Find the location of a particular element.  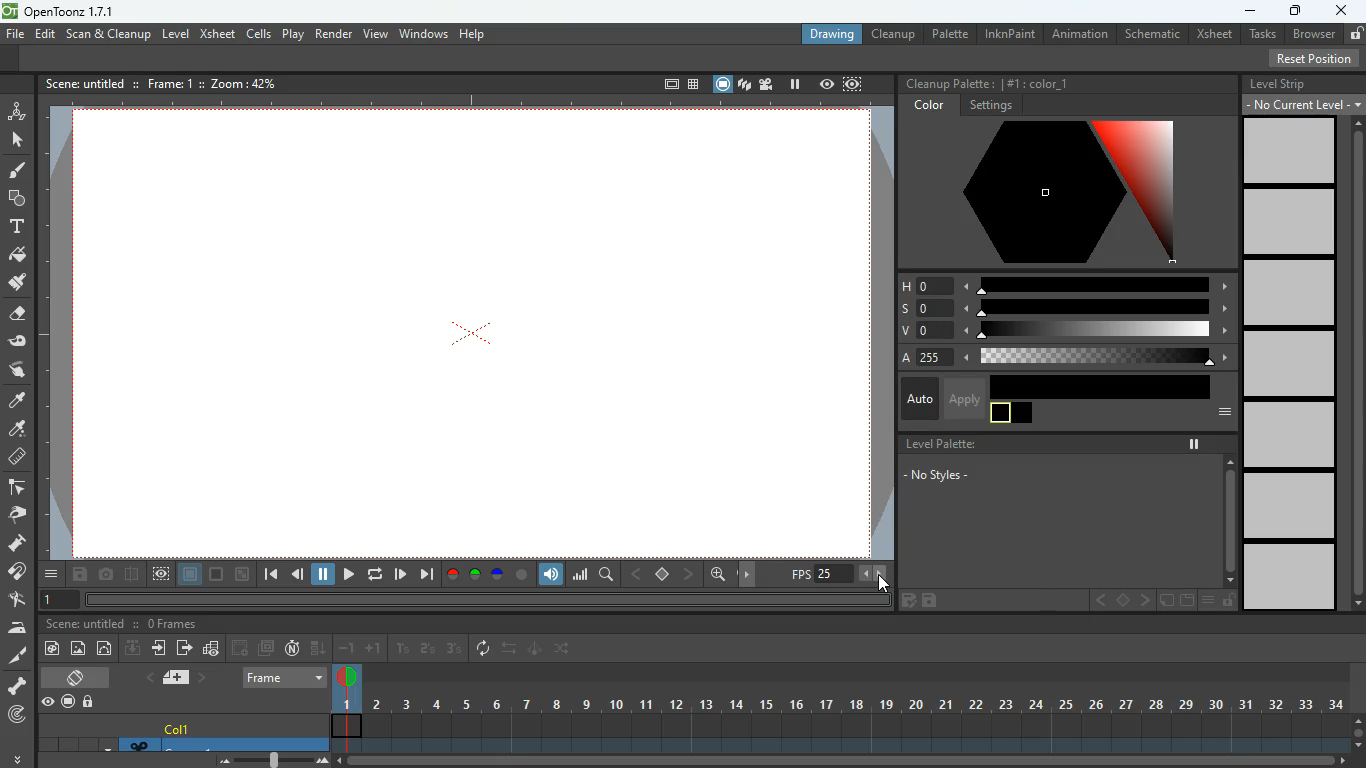

frame is located at coordinates (188, 574).